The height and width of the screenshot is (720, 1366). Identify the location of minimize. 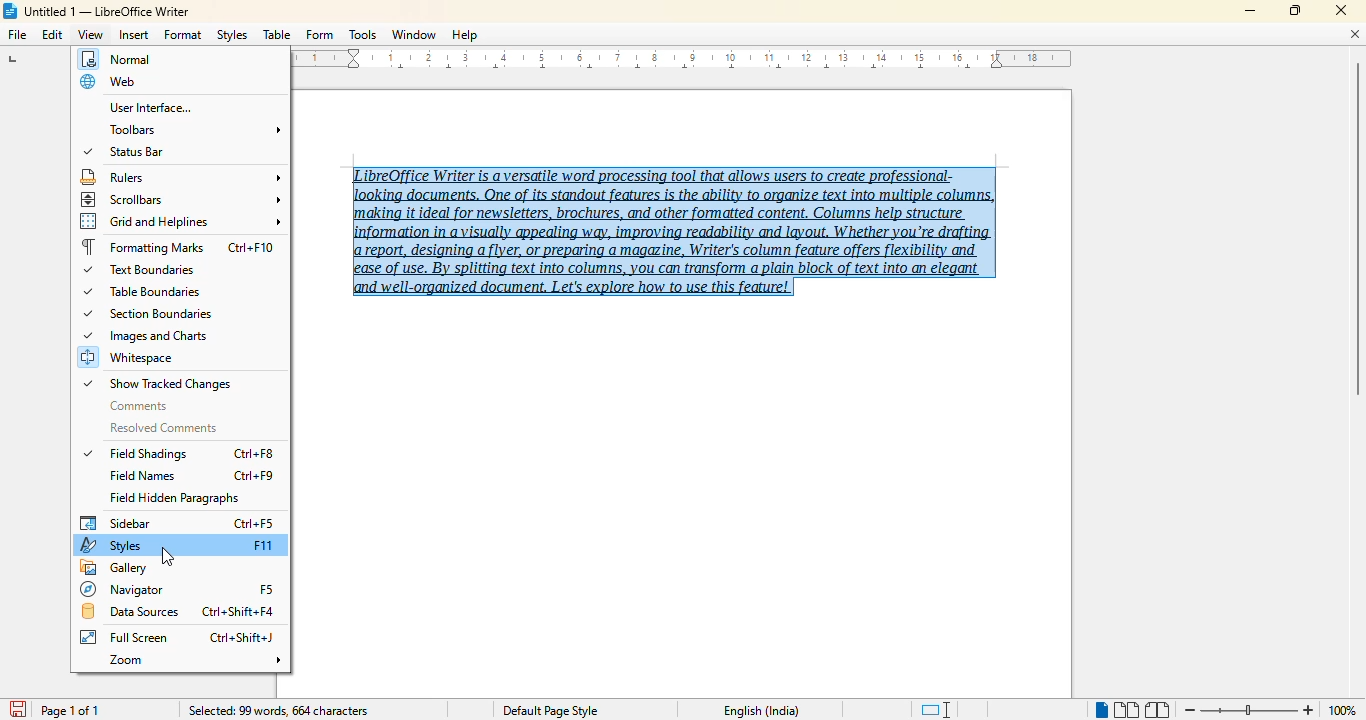
(1251, 10).